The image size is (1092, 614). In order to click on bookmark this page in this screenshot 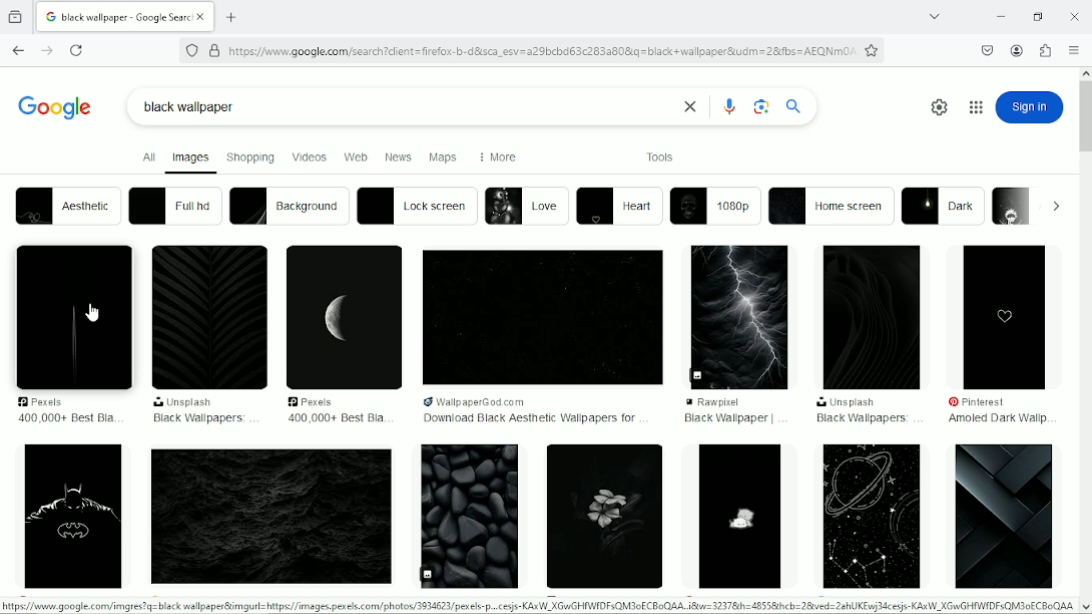, I will do `click(871, 50)`.